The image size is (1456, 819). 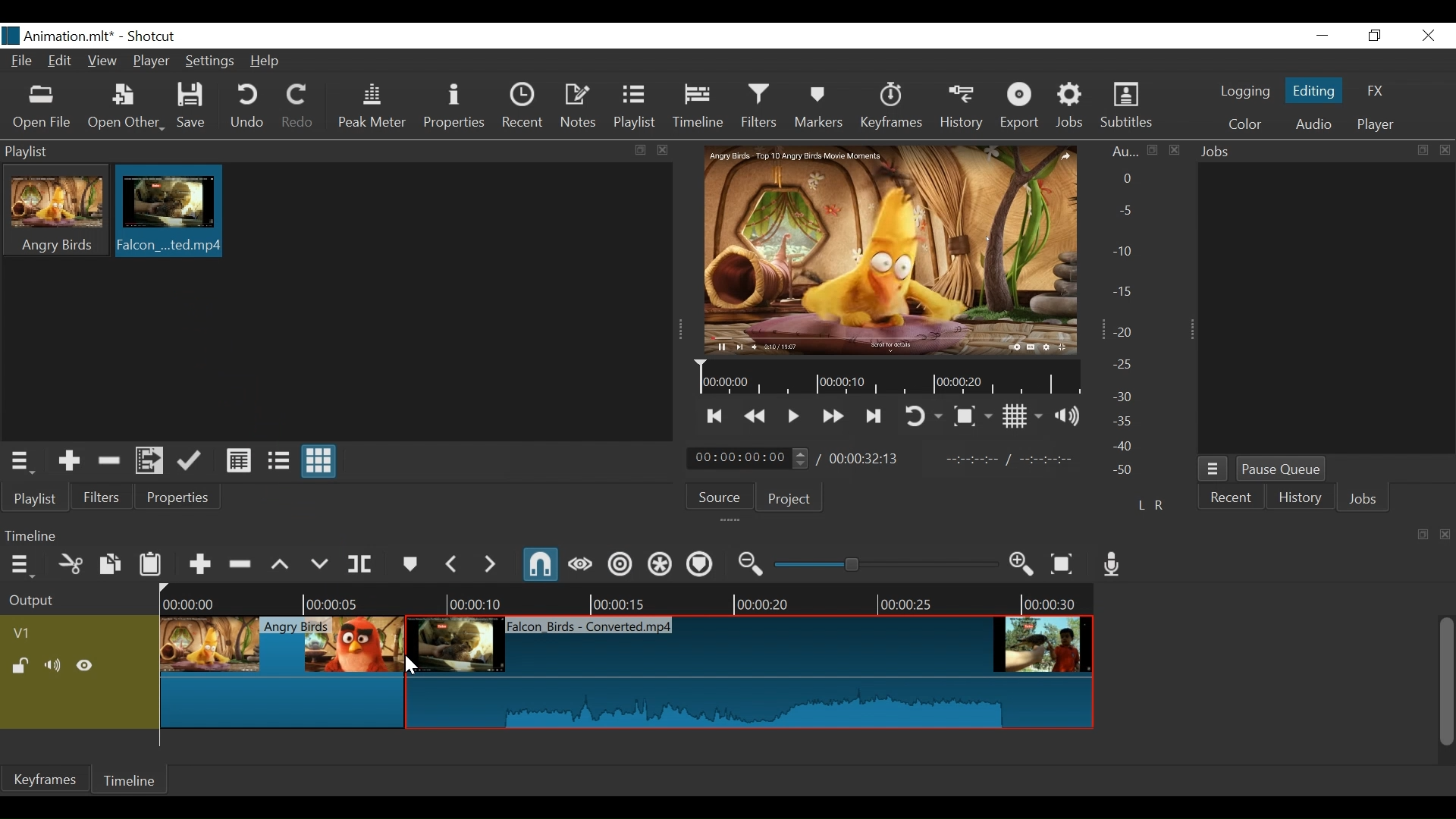 What do you see at coordinates (300, 108) in the screenshot?
I see `Redo` at bounding box center [300, 108].